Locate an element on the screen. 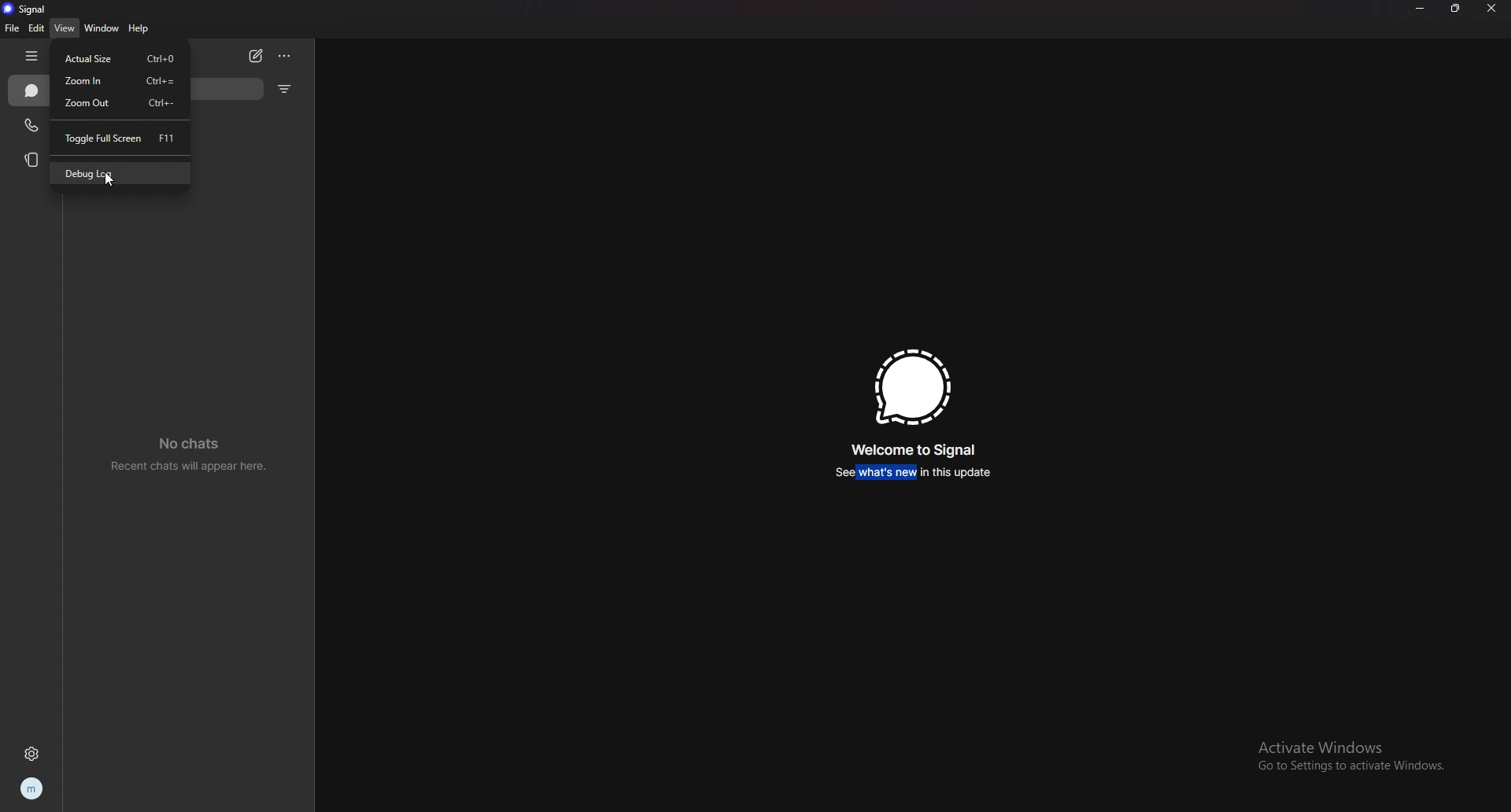 This screenshot has height=812, width=1511. welcome to signal is located at coordinates (917, 450).